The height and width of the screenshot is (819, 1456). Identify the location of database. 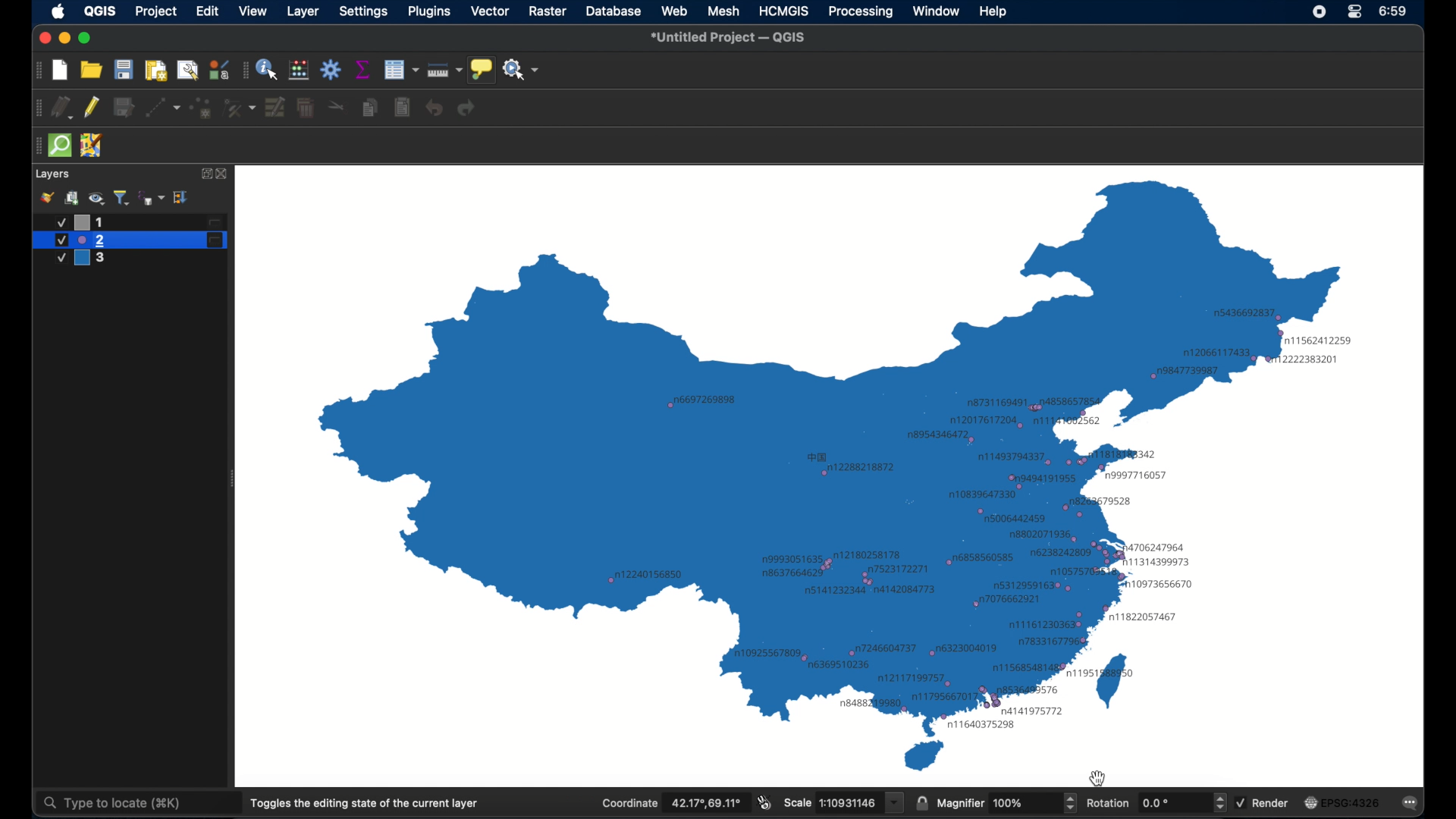
(613, 11).